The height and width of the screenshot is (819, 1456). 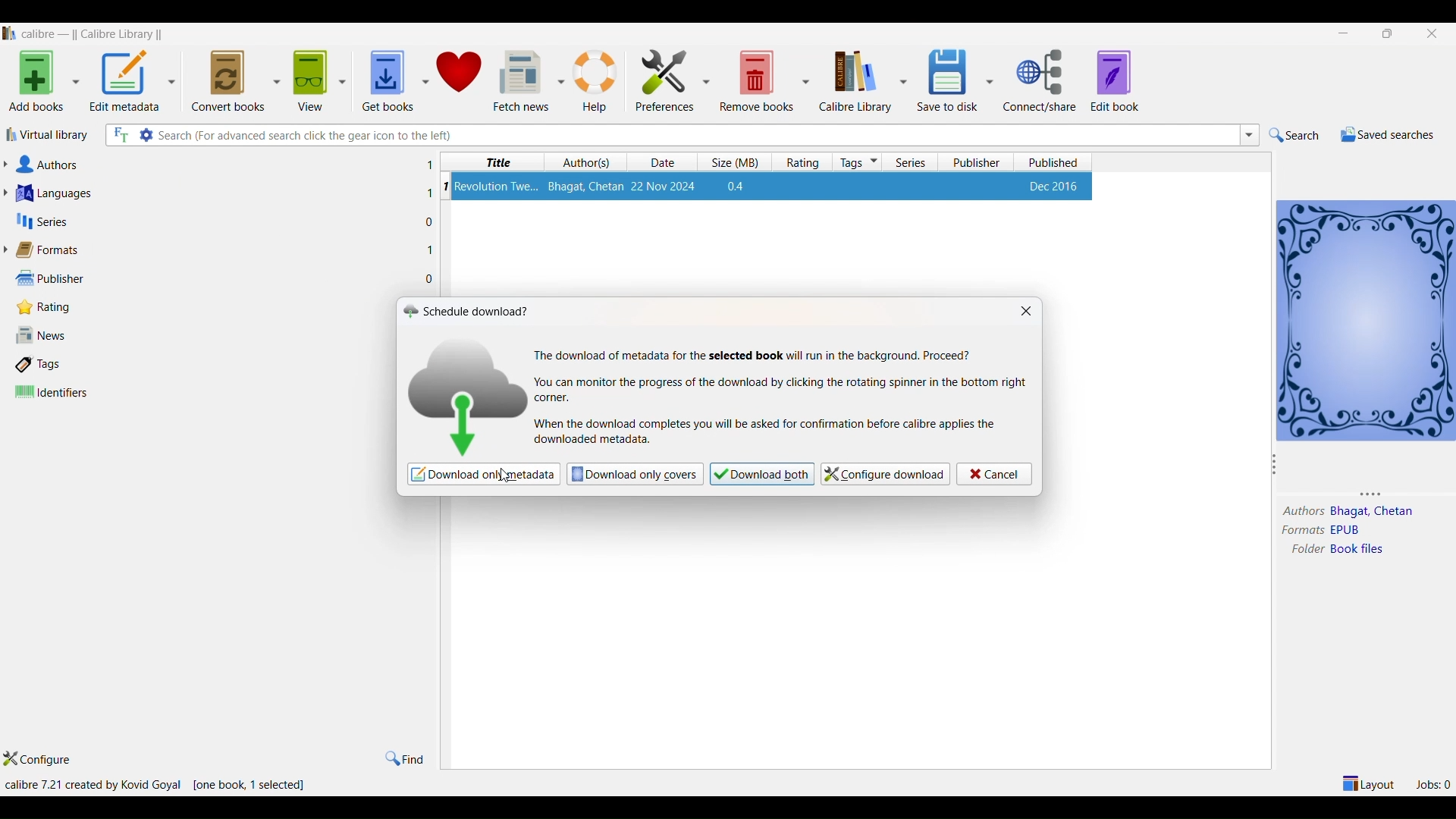 I want to click on layout, so click(x=1367, y=780).